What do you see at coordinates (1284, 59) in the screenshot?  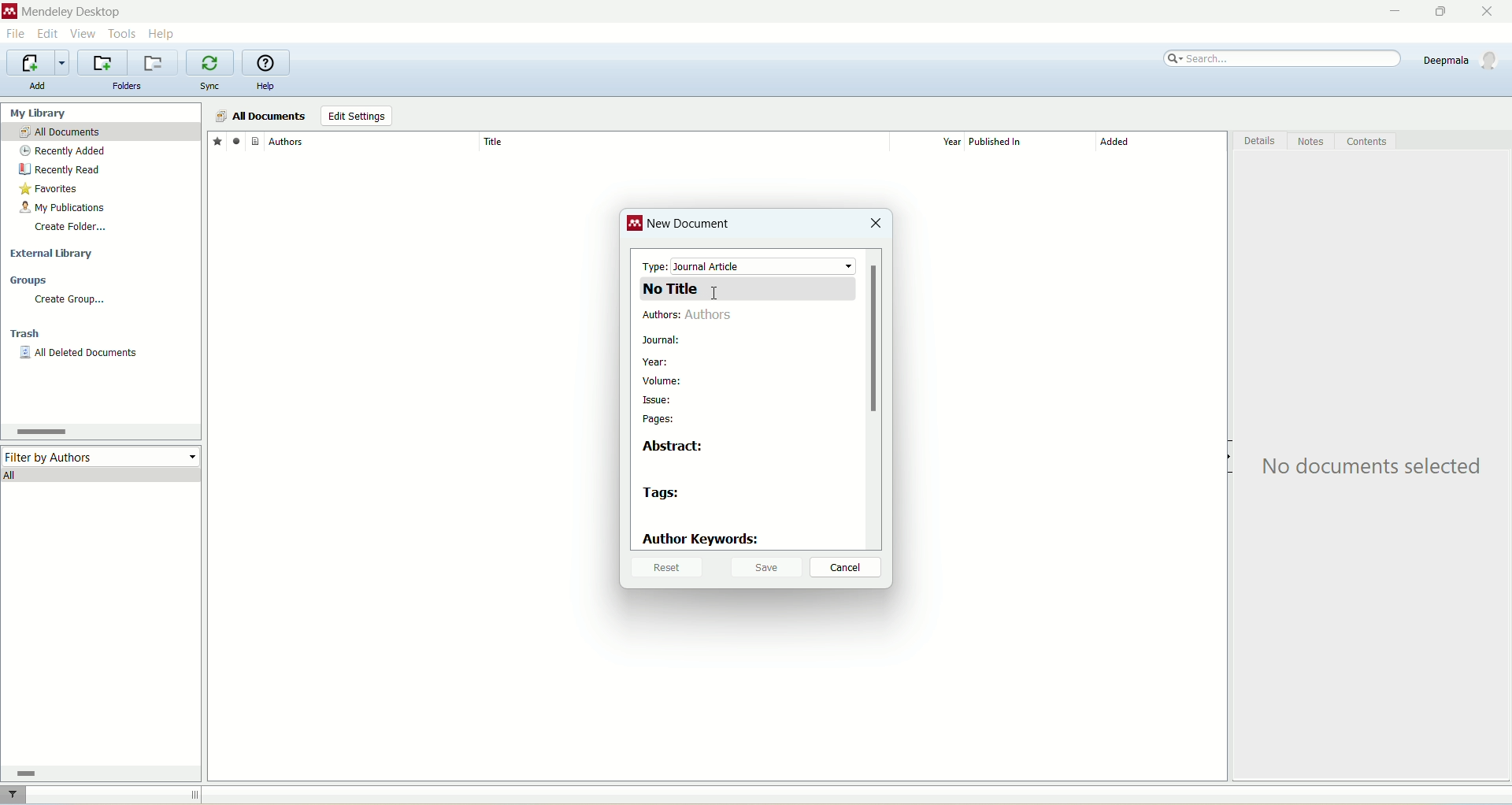 I see `search` at bounding box center [1284, 59].